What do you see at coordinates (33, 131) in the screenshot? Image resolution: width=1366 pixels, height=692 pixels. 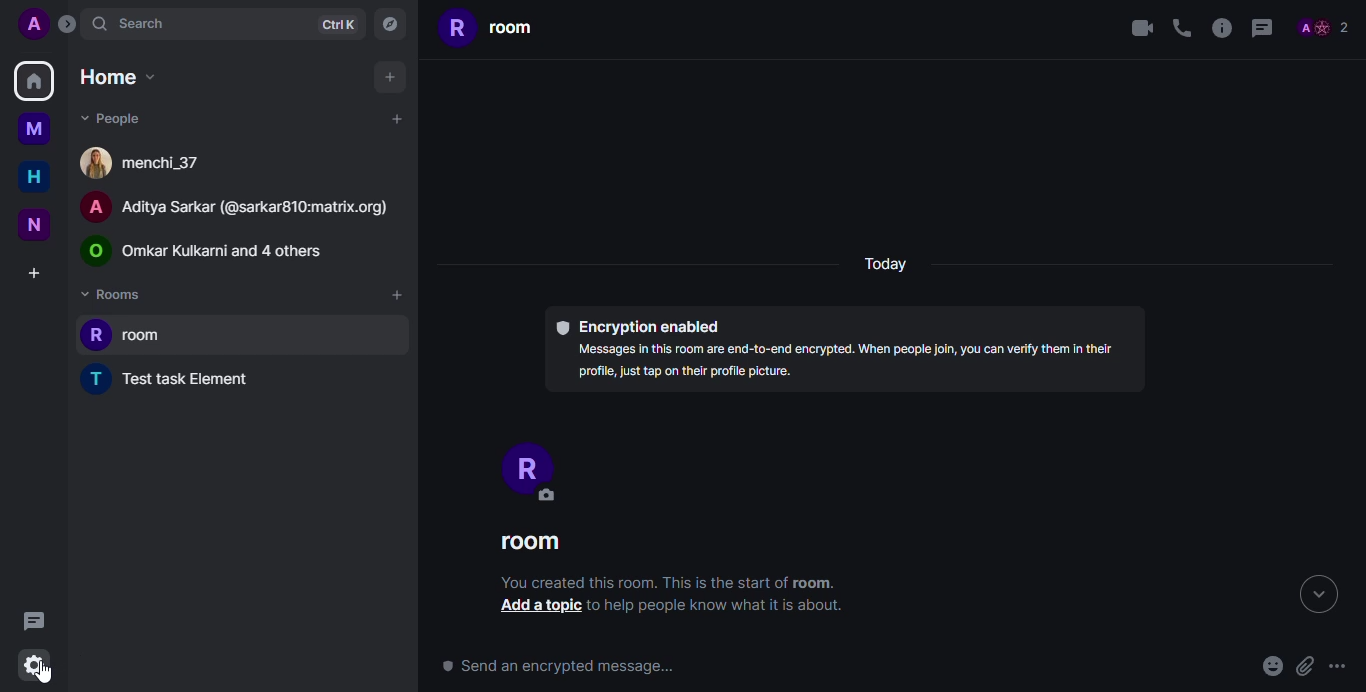 I see `myspace` at bounding box center [33, 131].